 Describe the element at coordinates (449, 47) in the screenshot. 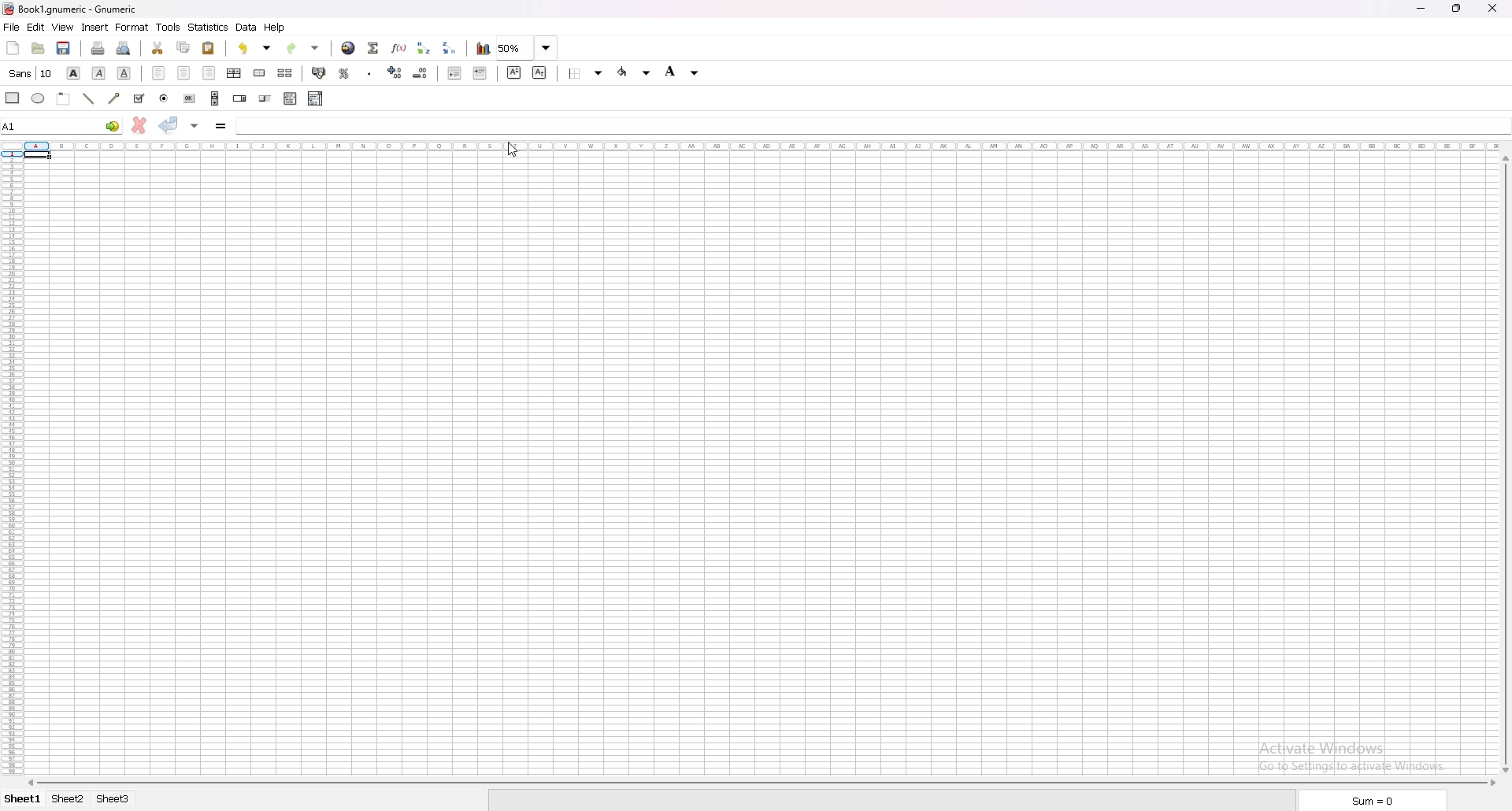

I see `sort descending` at that location.